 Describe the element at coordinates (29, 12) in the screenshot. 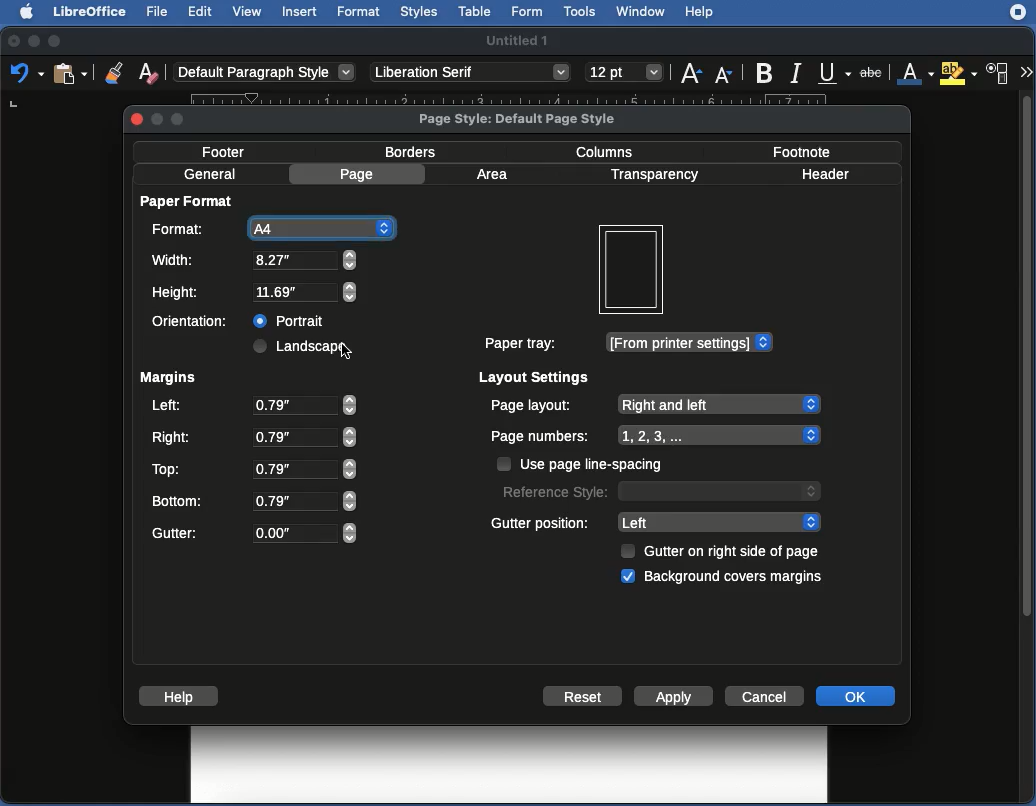

I see `Apple logo` at that location.